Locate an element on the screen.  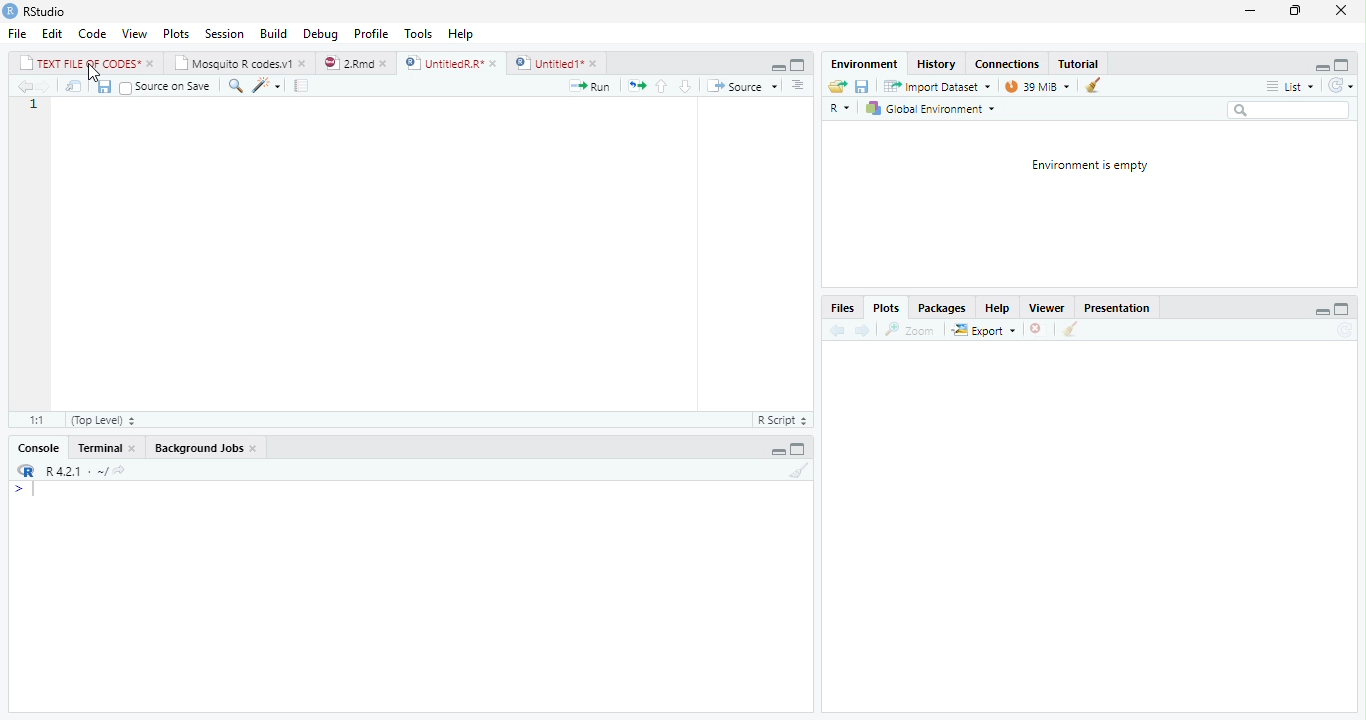
Code is located at coordinates (90, 34).